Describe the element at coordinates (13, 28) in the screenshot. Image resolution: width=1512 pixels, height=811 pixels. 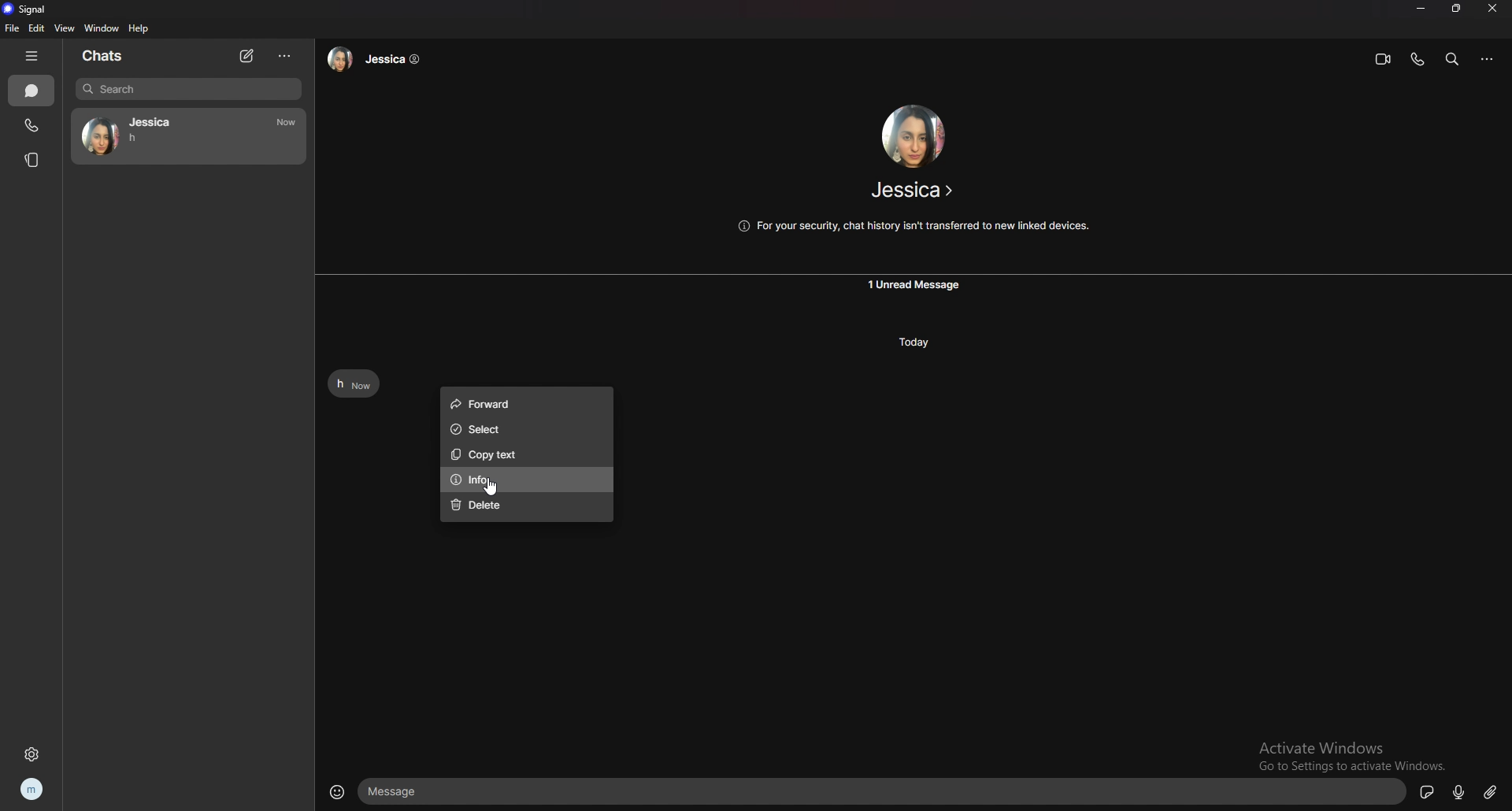
I see `file` at that location.